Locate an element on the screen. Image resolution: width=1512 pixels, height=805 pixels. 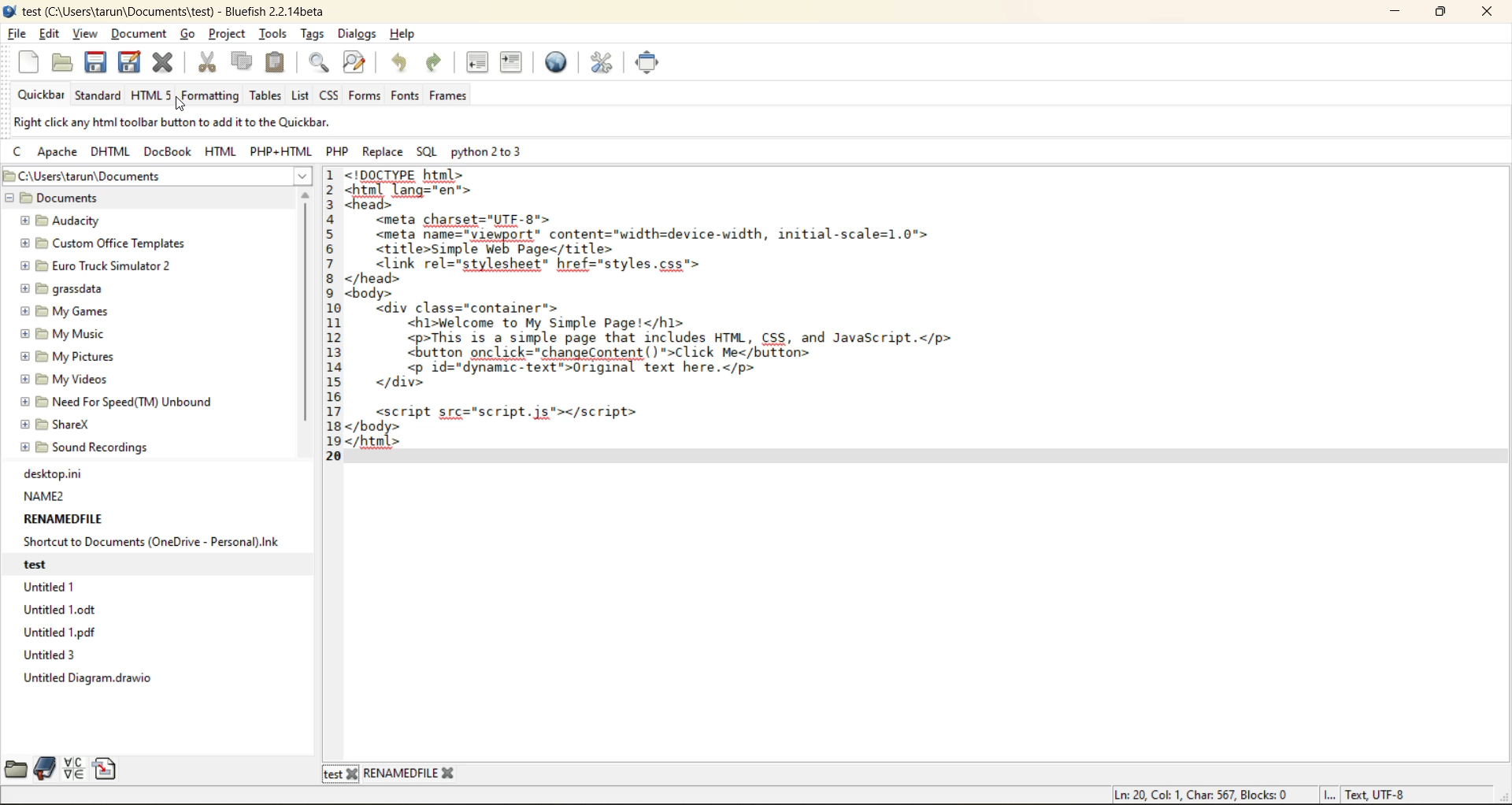
close is located at coordinates (1482, 14).